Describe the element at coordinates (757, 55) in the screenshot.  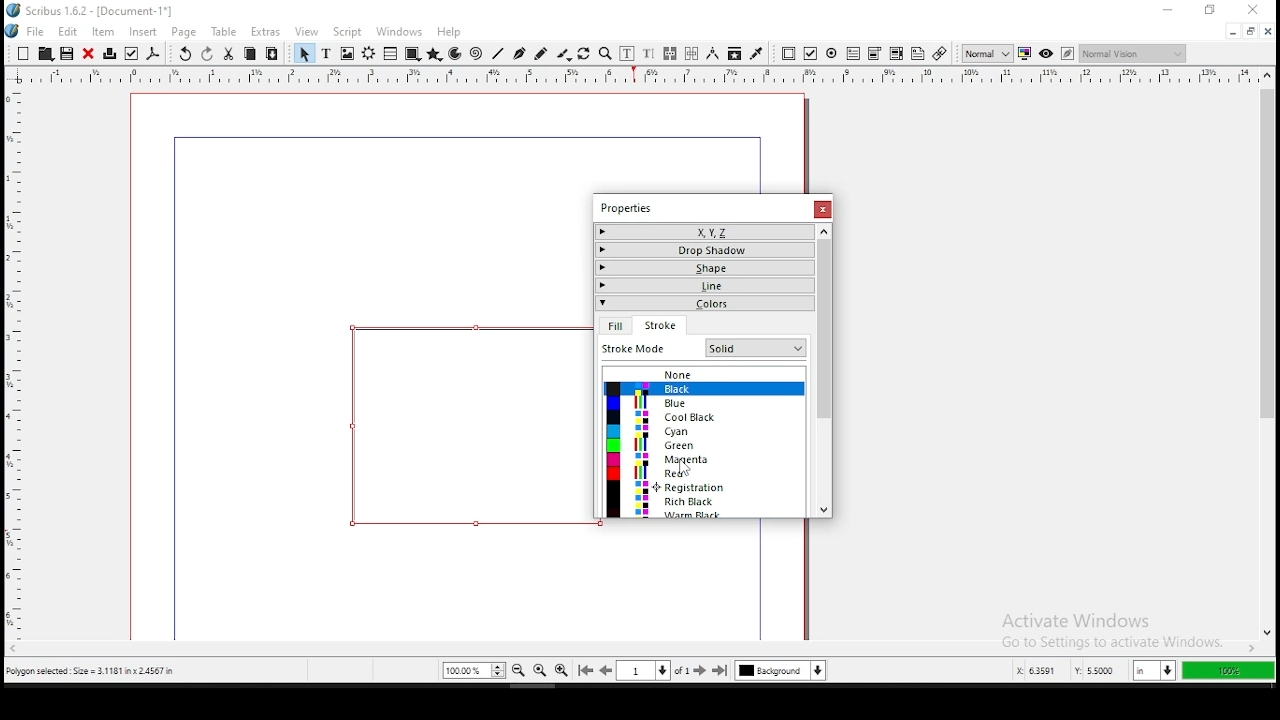
I see `eyedropper` at that location.